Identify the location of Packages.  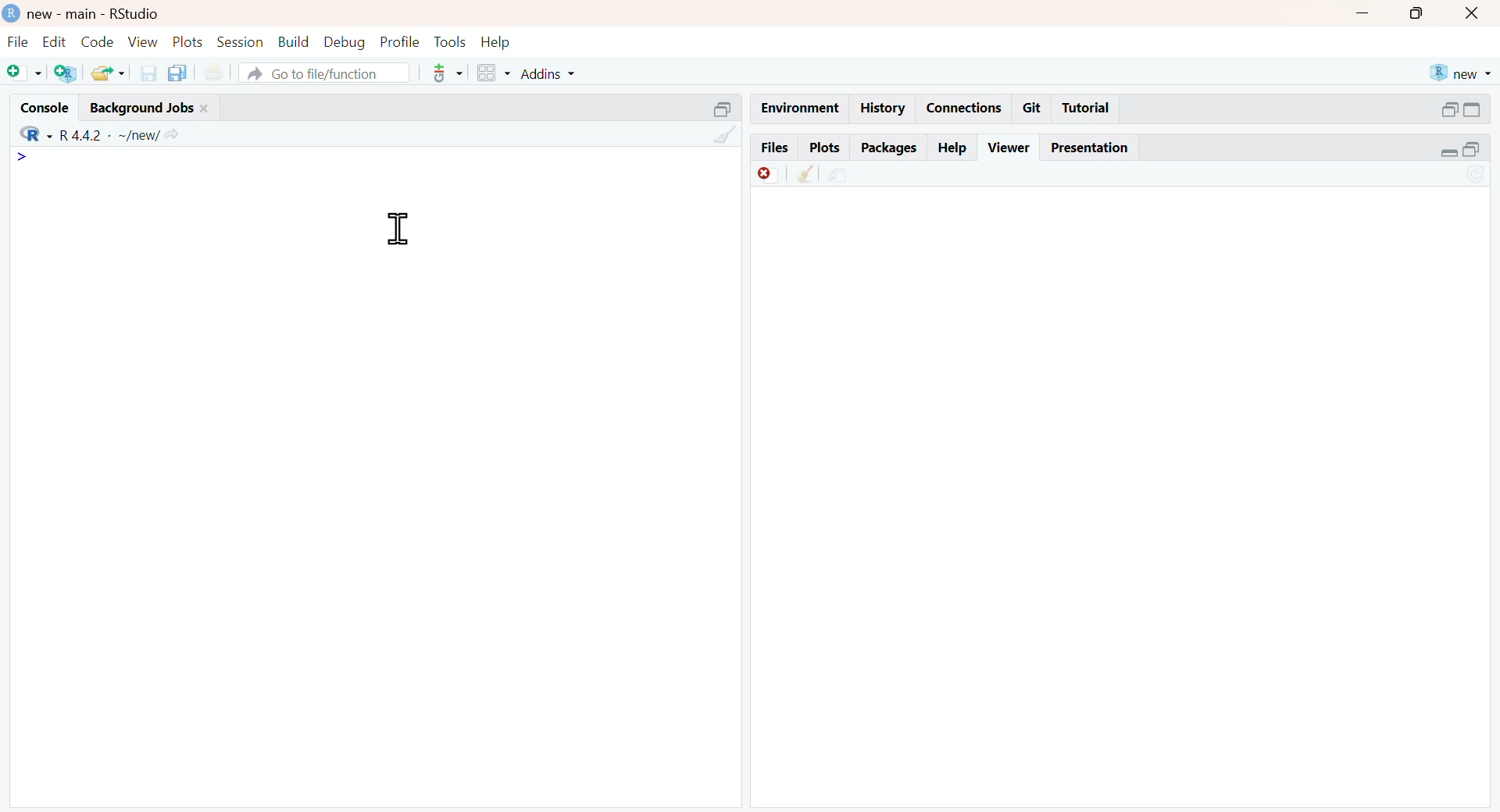
(889, 146).